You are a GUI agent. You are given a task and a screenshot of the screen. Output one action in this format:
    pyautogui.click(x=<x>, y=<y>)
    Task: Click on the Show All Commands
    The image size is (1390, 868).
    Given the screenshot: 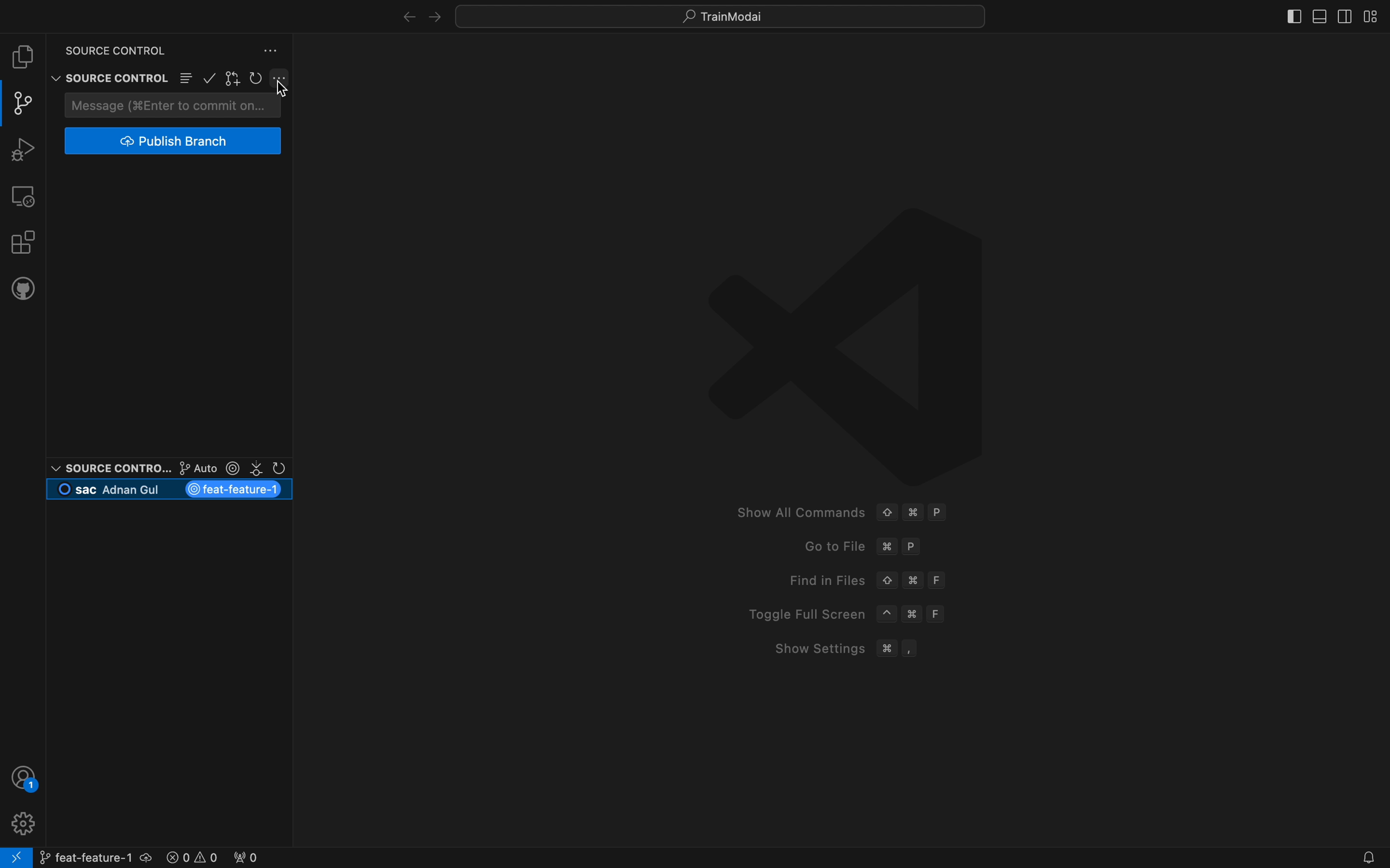 What is the action you would take?
    pyautogui.click(x=796, y=513)
    